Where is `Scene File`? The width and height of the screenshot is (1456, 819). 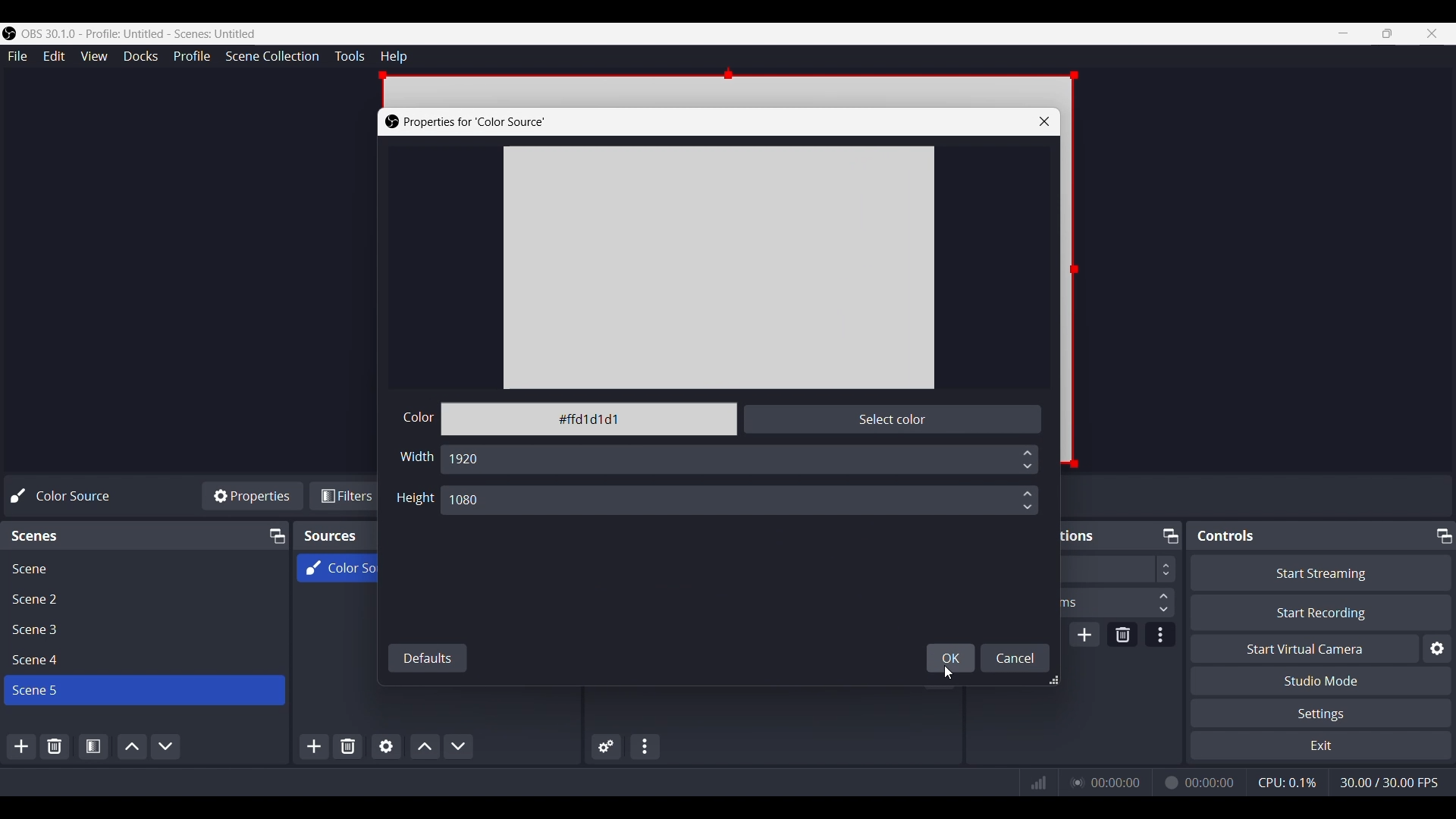
Scene File is located at coordinates (141, 660).